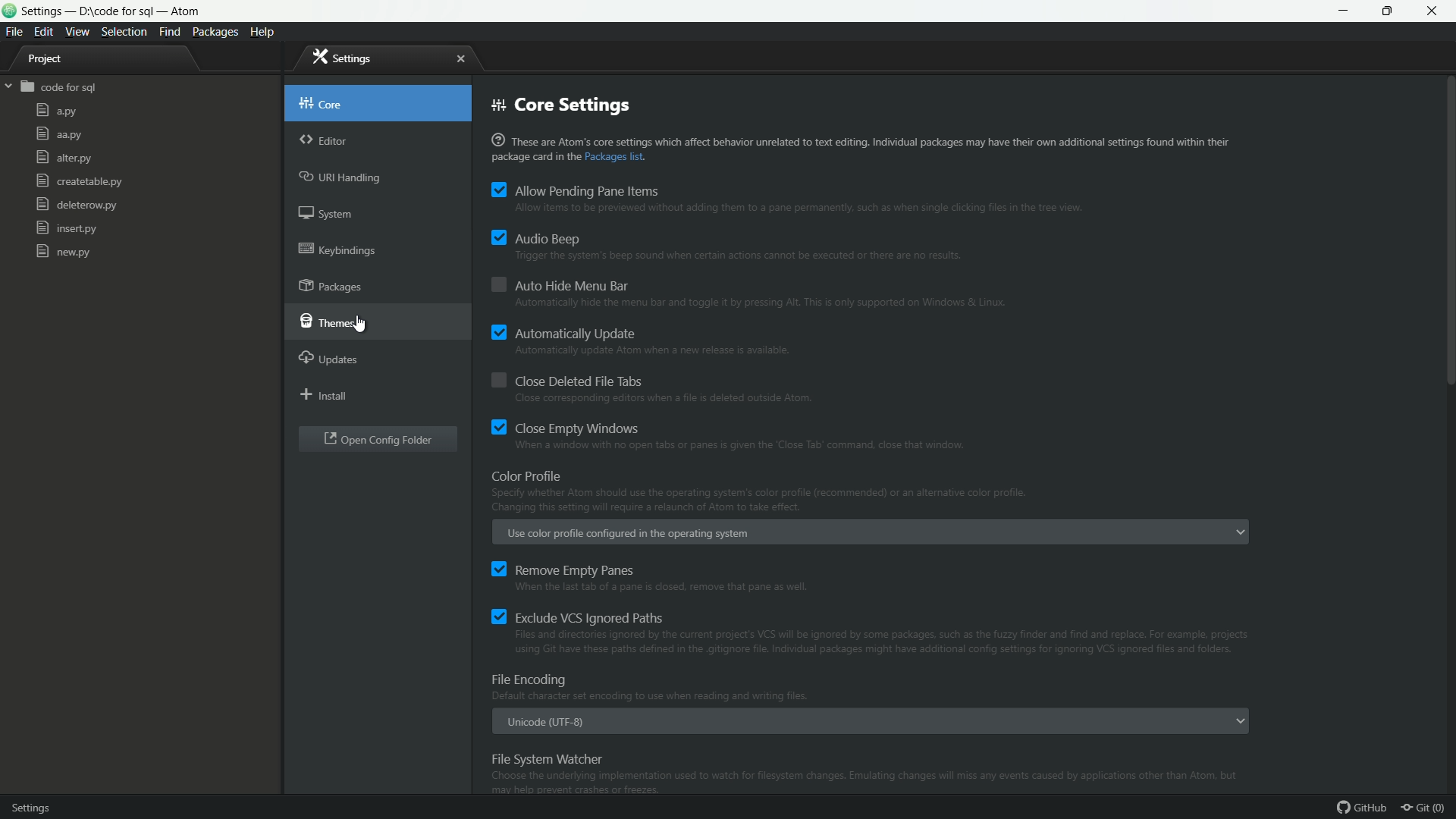 The height and width of the screenshot is (819, 1456). Describe the element at coordinates (878, 644) in the screenshot. I see `files and directories ignored by the current projects a vcs will be ignored by some packages, such as the fuzzy finder and find and replace. for example , projects using git have paths defined in the .gitignore file .individual packages might have additional config settings for ignoring vcs ignored files and folders.` at that location.